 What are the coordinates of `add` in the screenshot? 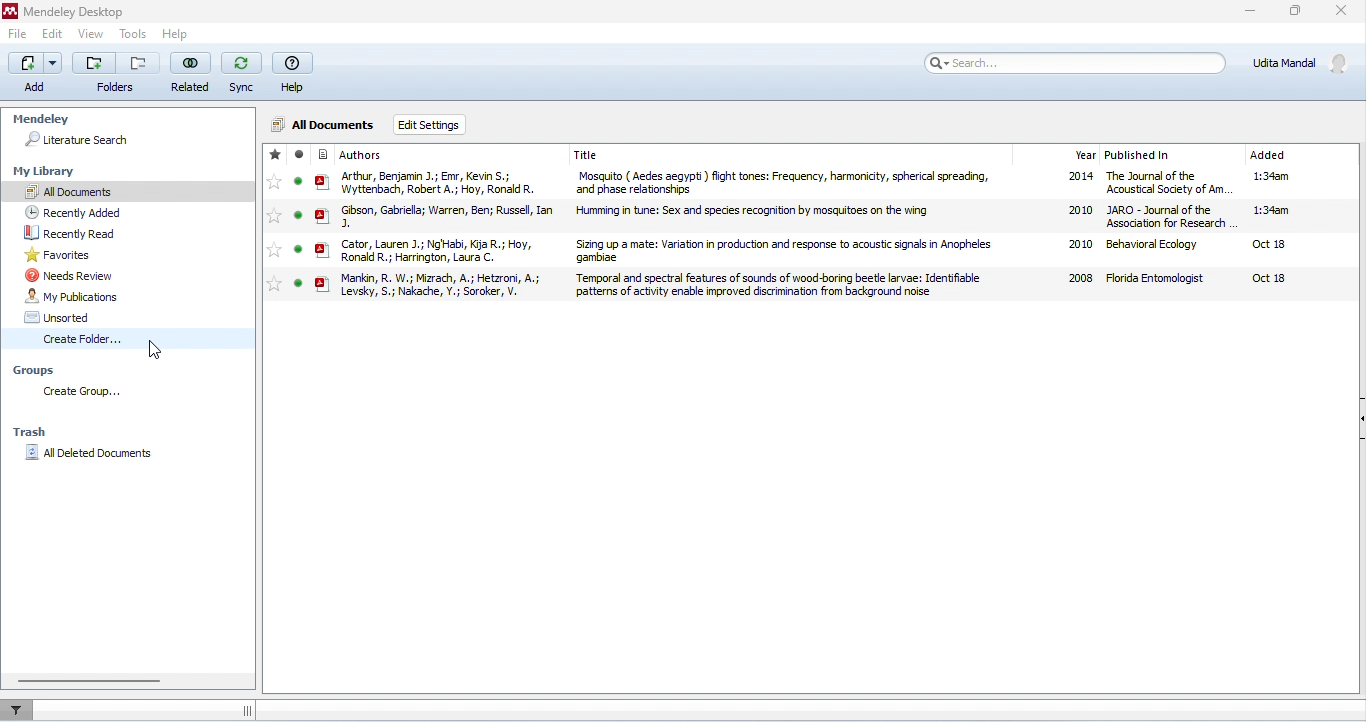 It's located at (94, 63).